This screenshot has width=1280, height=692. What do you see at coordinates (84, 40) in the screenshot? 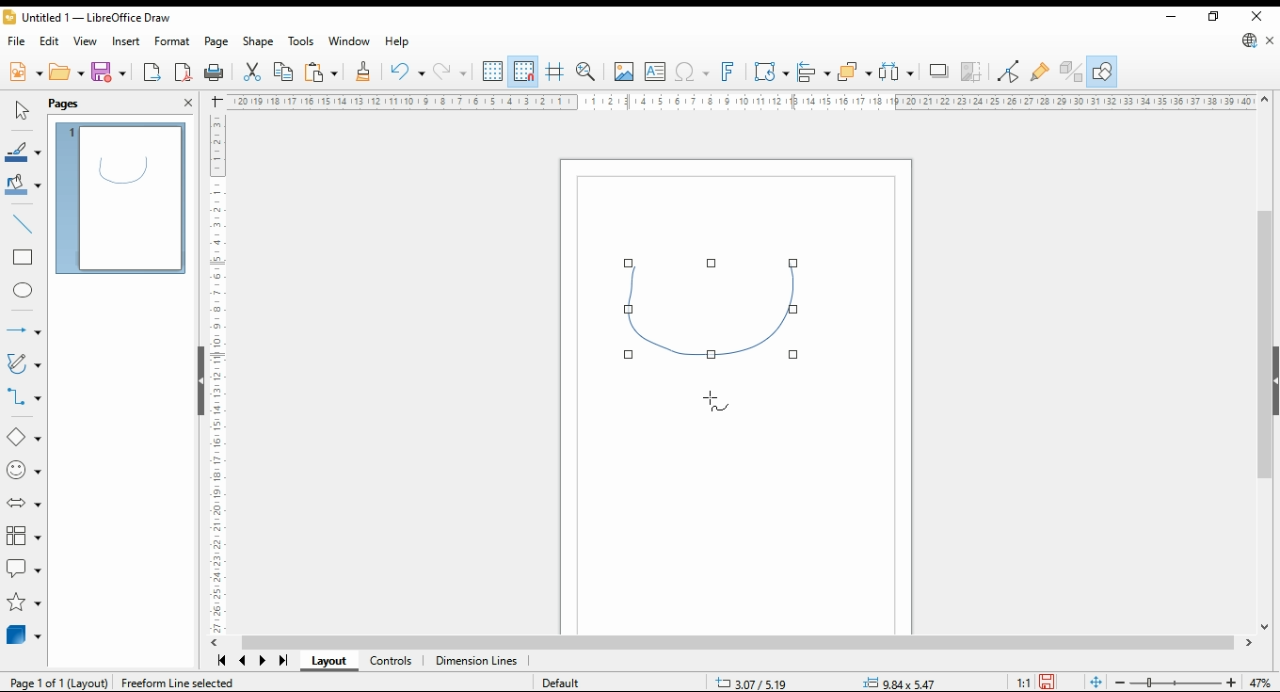
I see `view` at bounding box center [84, 40].